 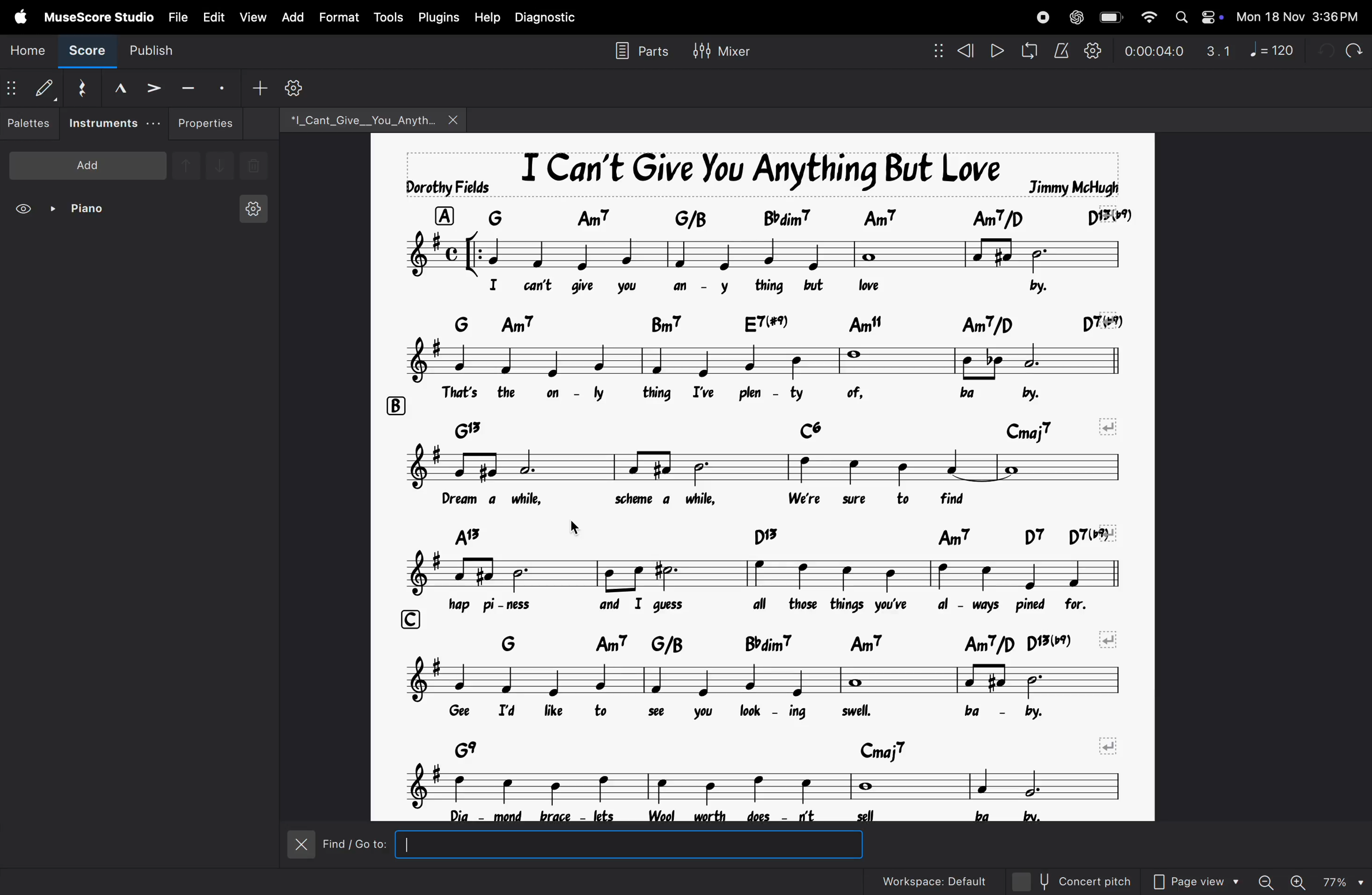 What do you see at coordinates (367, 118) in the screenshot?
I see `file name` at bounding box center [367, 118].